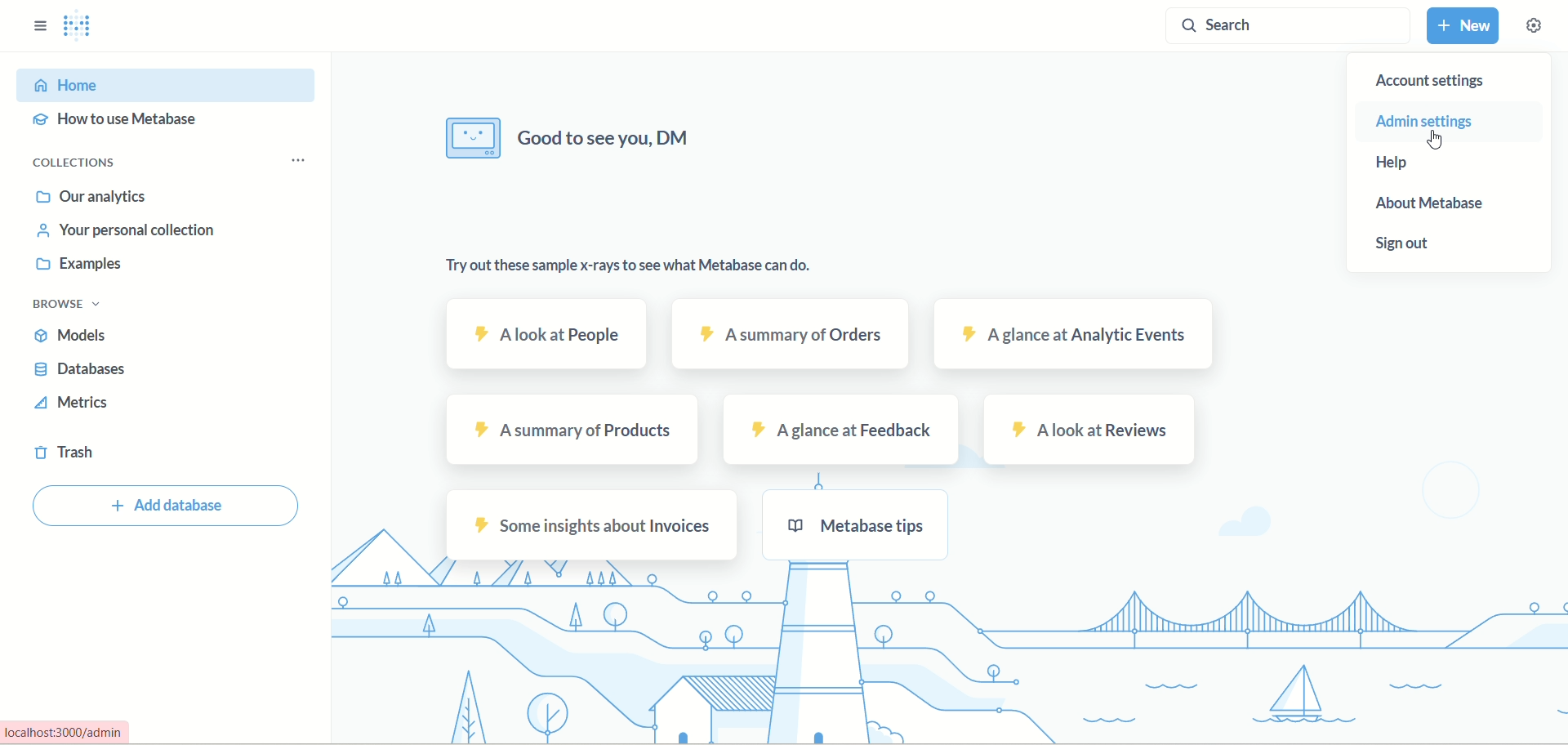 The height and width of the screenshot is (745, 1568). Describe the element at coordinates (85, 337) in the screenshot. I see `models` at that location.